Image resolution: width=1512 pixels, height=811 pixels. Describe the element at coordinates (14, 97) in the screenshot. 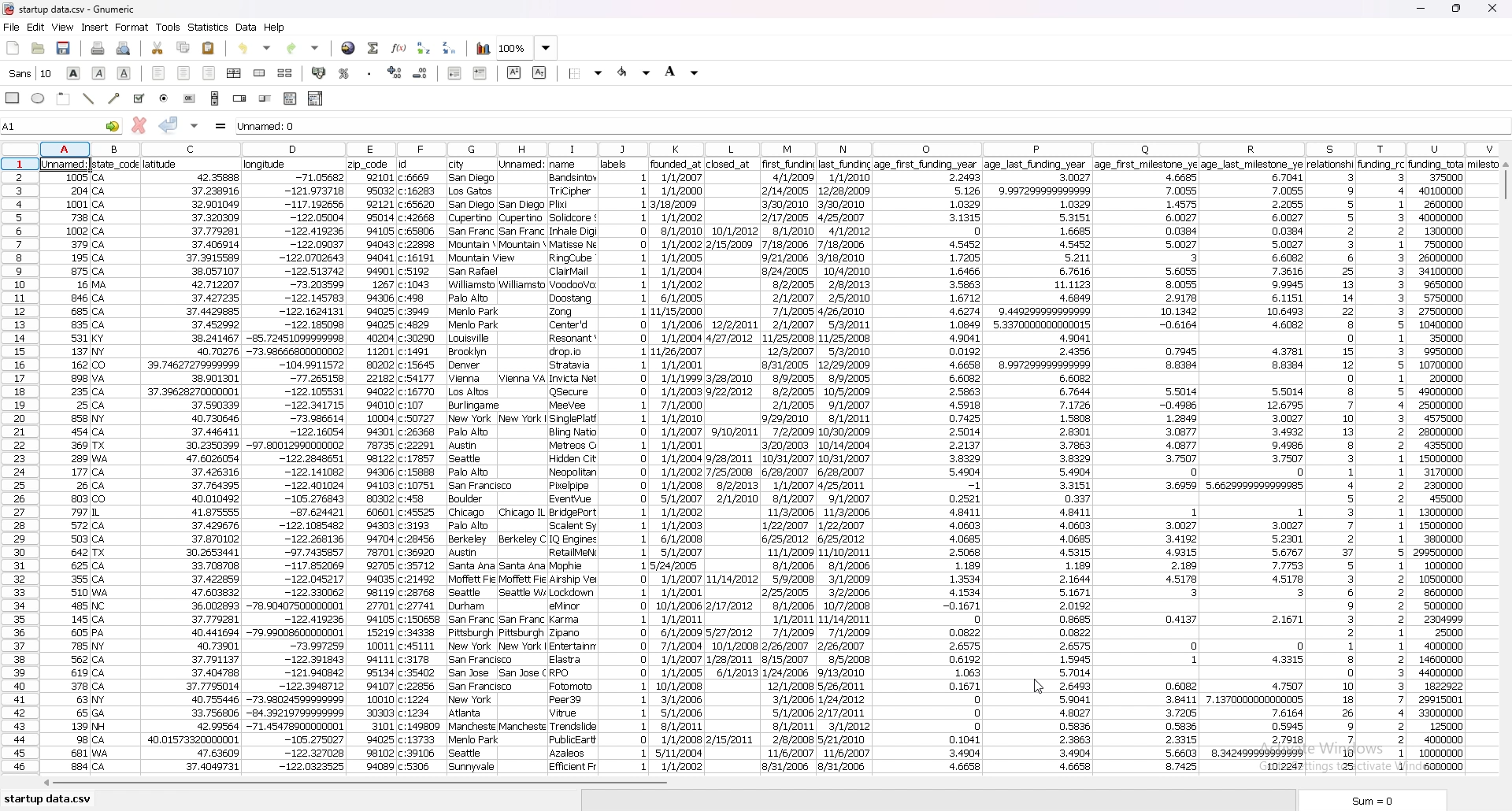

I see `rectangle` at that location.